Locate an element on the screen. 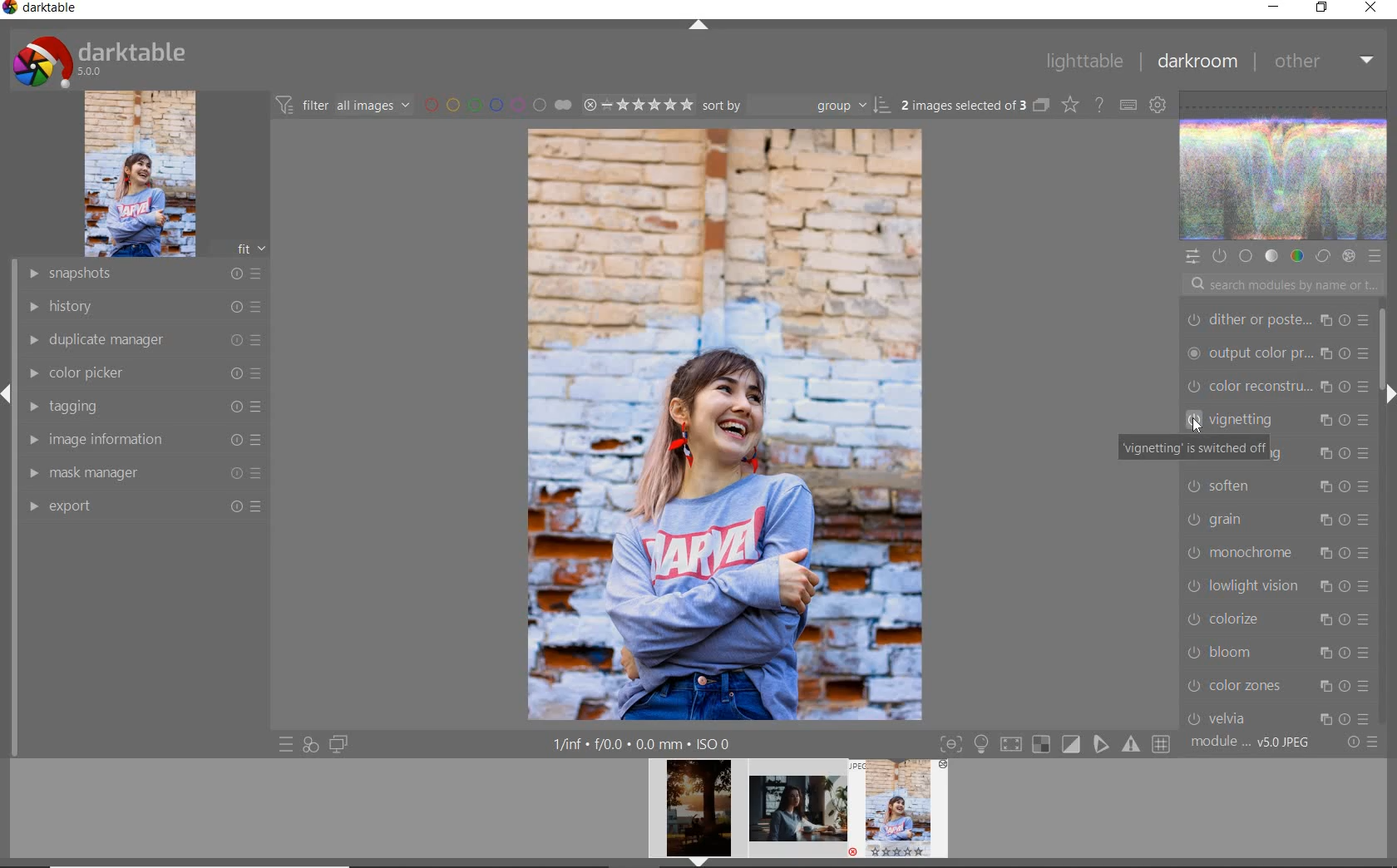 The width and height of the screenshot is (1397, 868). module order is located at coordinates (1252, 742).